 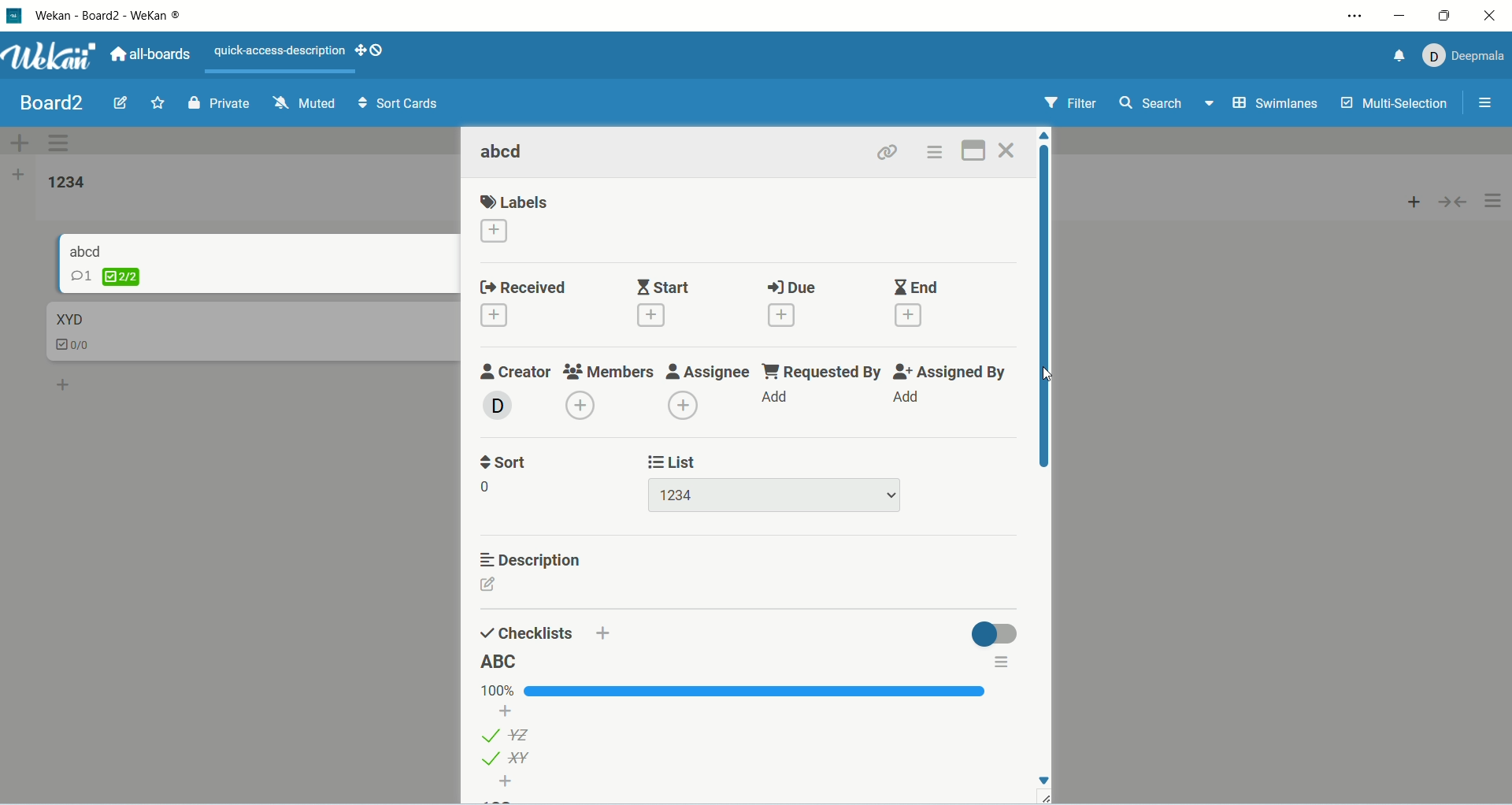 What do you see at coordinates (1169, 105) in the screenshot?
I see `search` at bounding box center [1169, 105].